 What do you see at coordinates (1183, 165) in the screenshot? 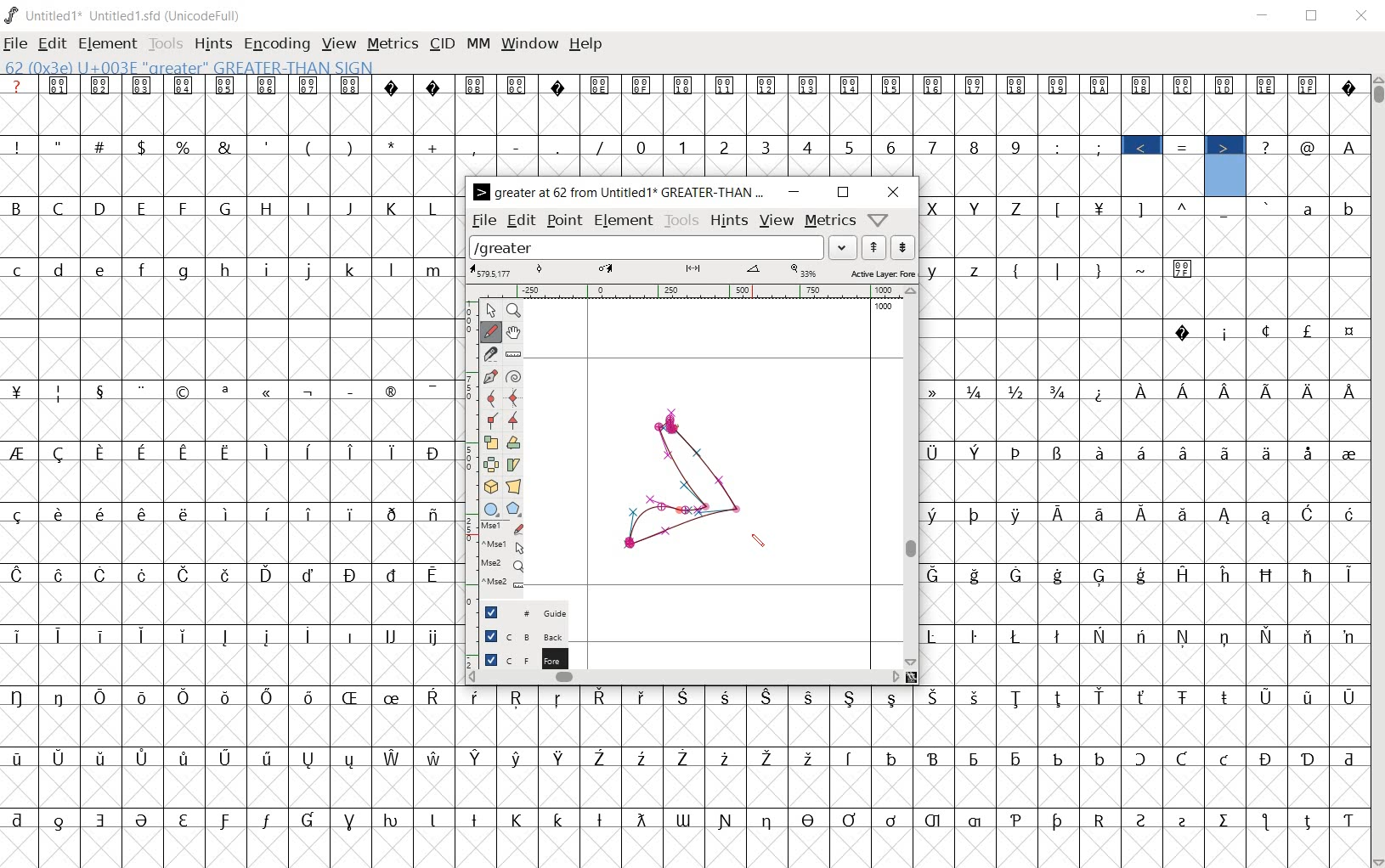
I see `glyps` at bounding box center [1183, 165].